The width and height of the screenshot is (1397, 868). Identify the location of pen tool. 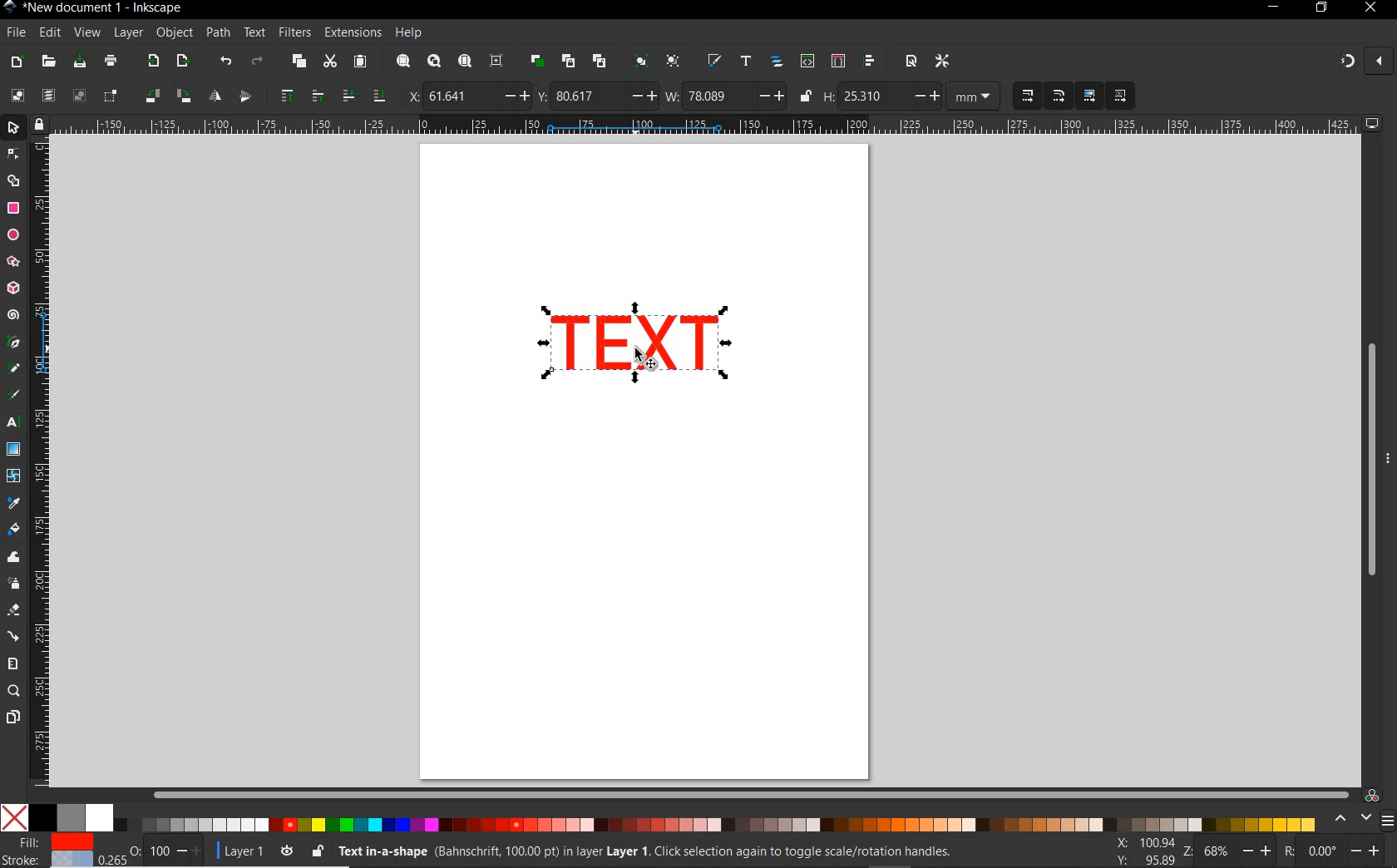
(12, 343).